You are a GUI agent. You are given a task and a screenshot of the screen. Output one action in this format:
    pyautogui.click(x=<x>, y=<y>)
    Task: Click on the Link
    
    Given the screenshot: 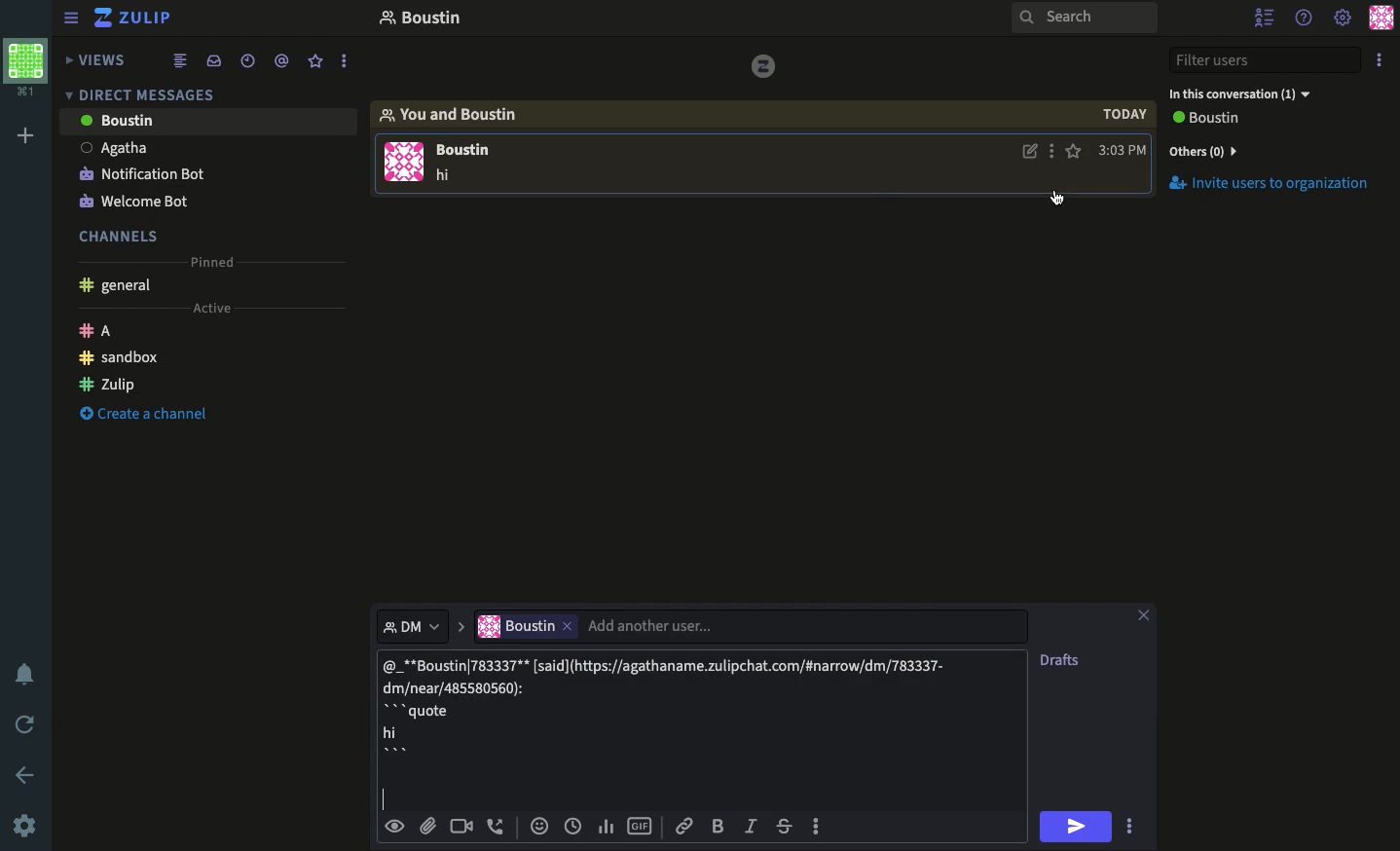 What is the action you would take?
    pyautogui.click(x=683, y=826)
    